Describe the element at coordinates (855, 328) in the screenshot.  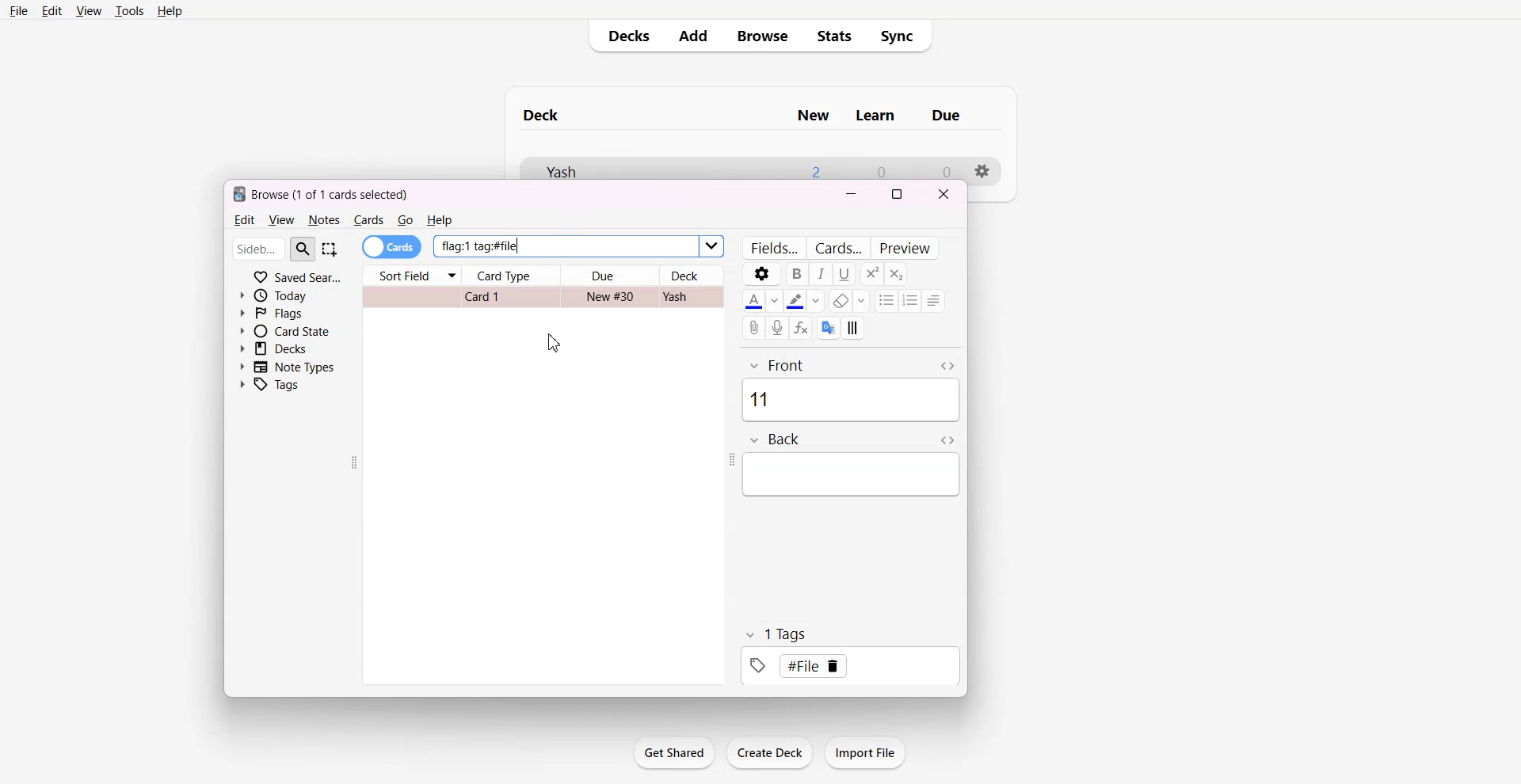
I see `Apply custom style` at that location.